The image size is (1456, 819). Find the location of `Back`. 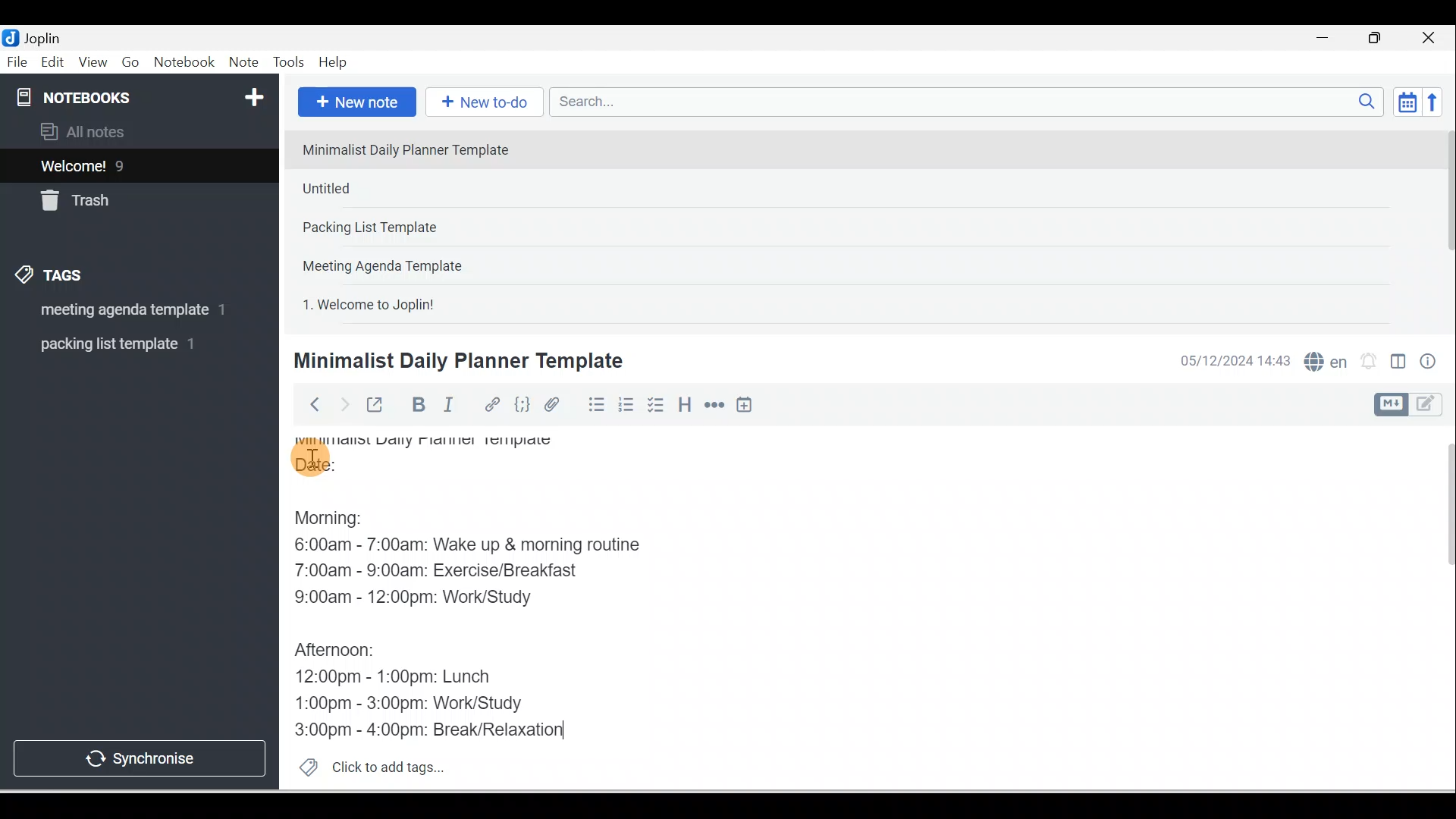

Back is located at coordinates (308, 404).